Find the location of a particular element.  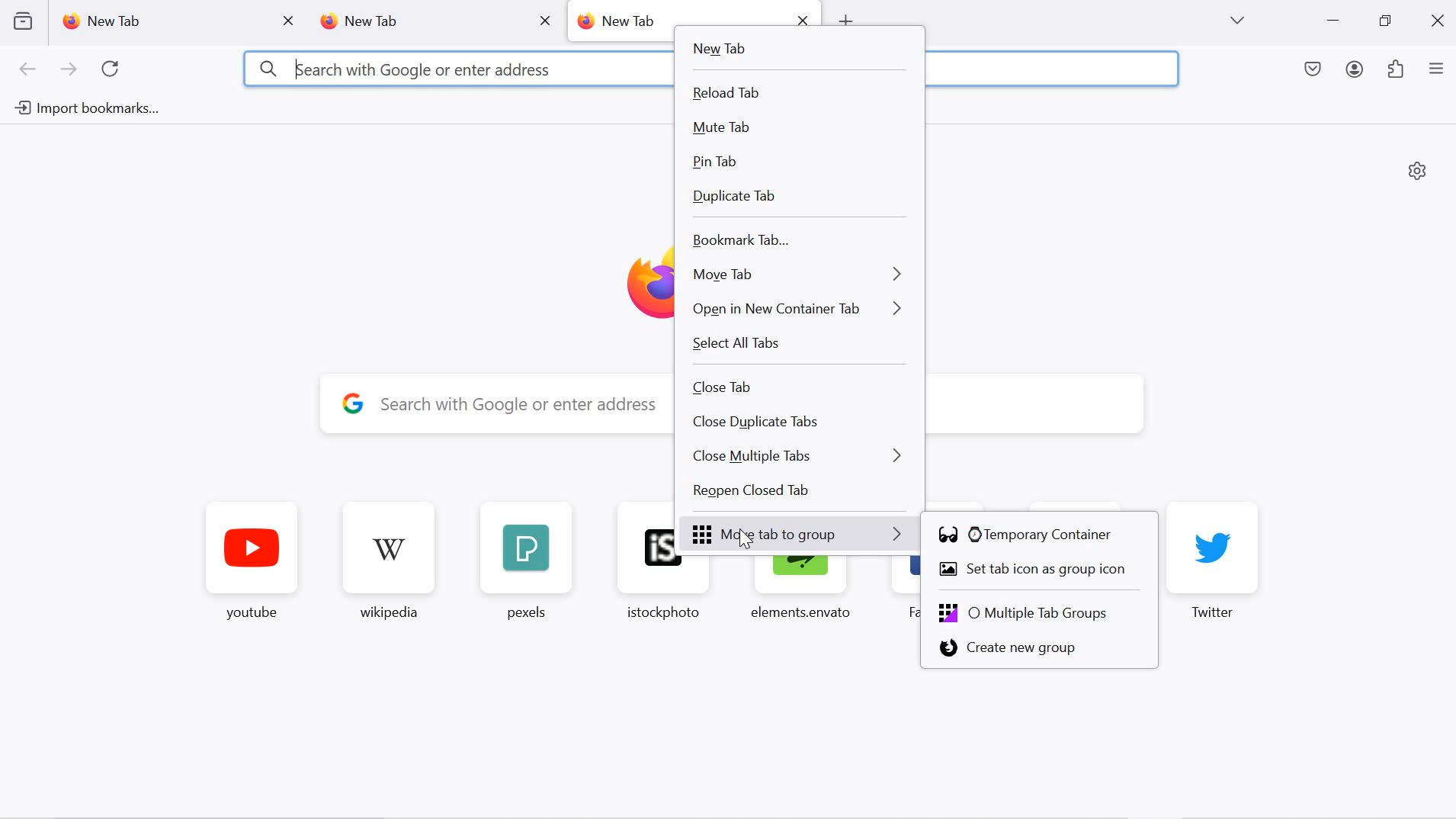

elements.envanto favorite is located at coordinates (799, 592).